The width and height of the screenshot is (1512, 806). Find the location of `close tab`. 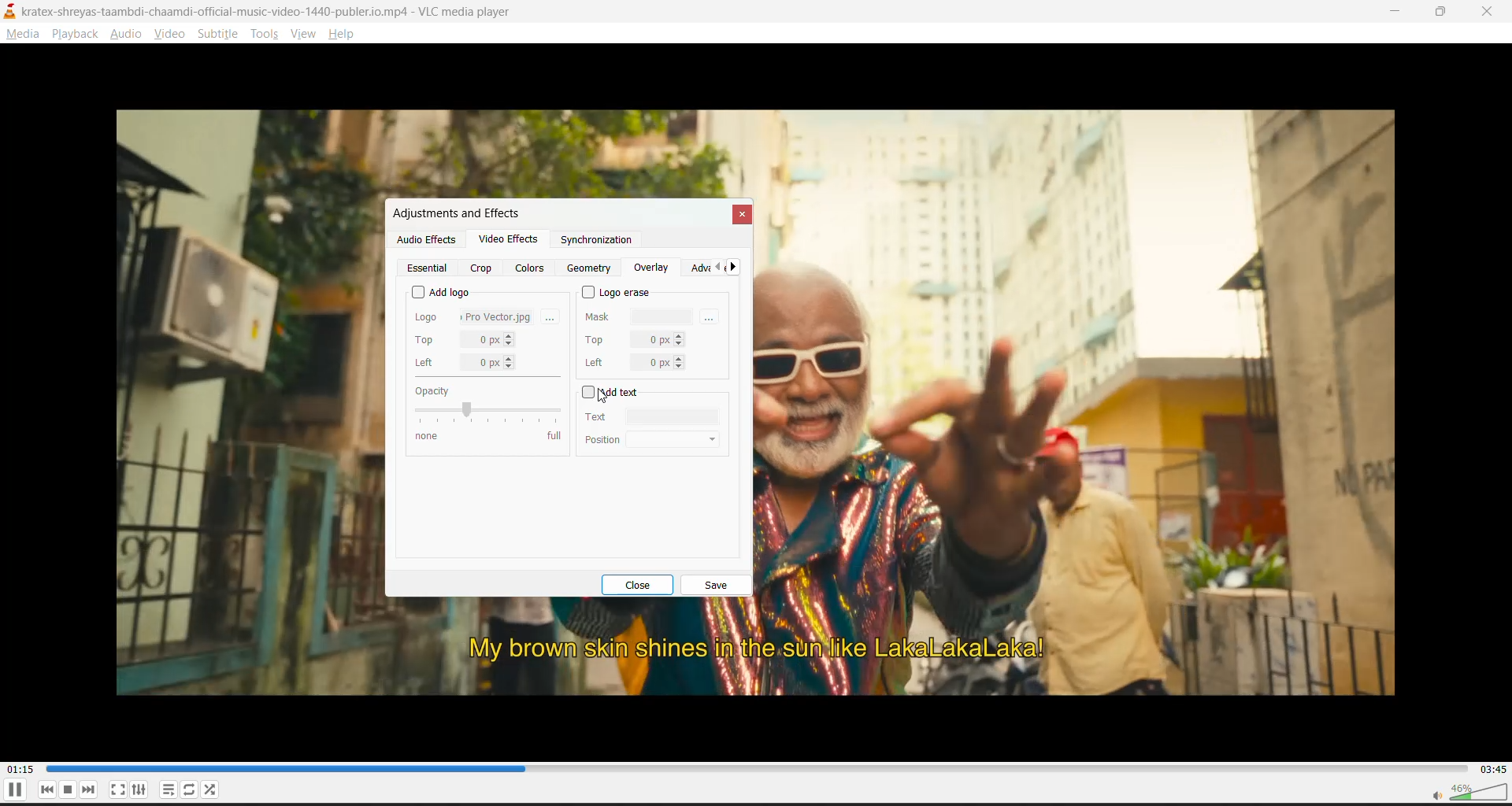

close tab is located at coordinates (740, 215).